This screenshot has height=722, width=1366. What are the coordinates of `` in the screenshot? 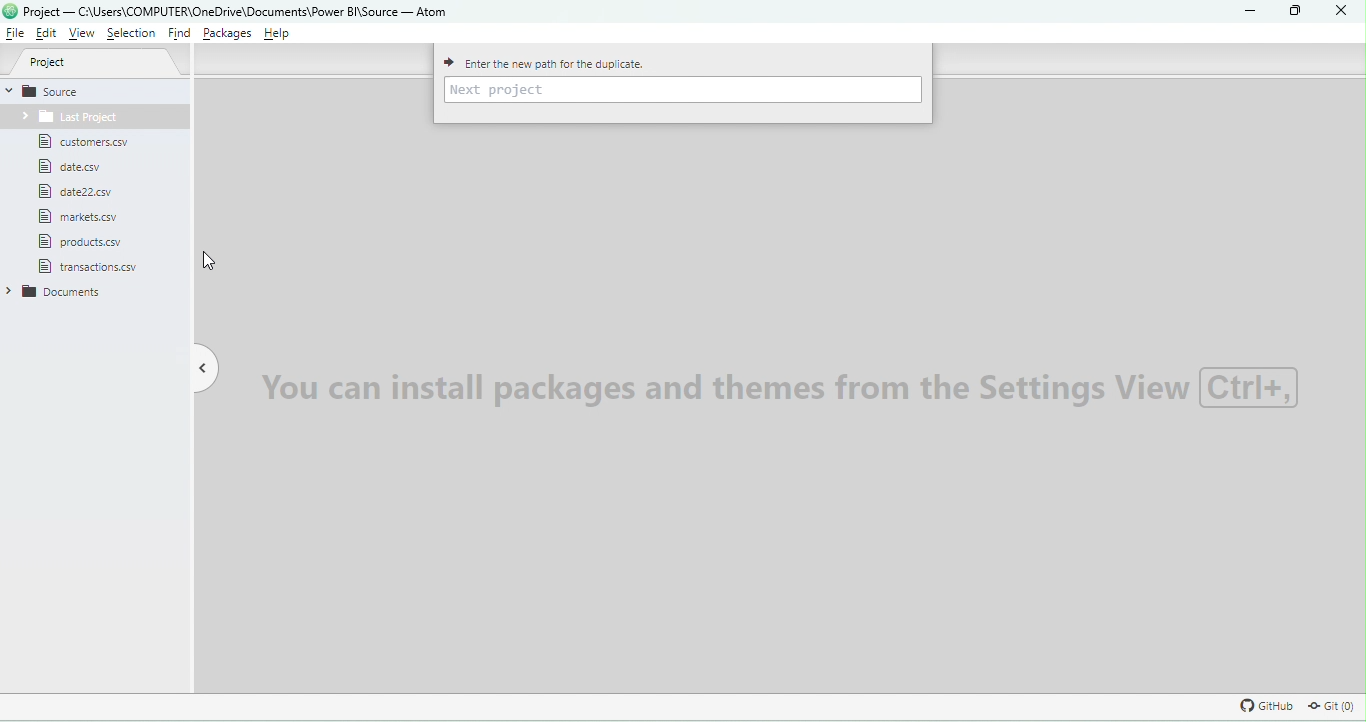 It's located at (14, 33).